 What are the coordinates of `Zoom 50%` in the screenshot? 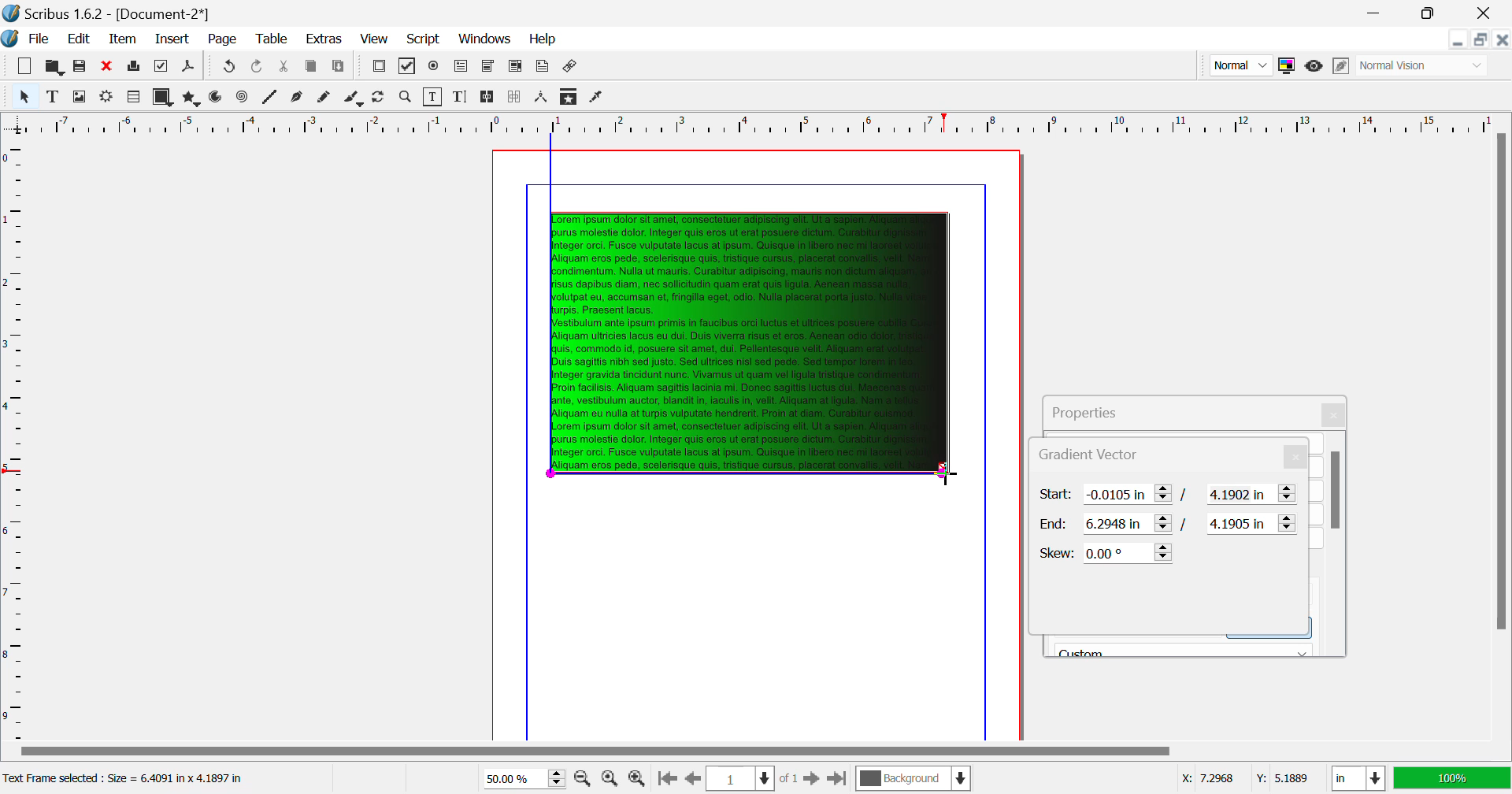 It's located at (518, 778).